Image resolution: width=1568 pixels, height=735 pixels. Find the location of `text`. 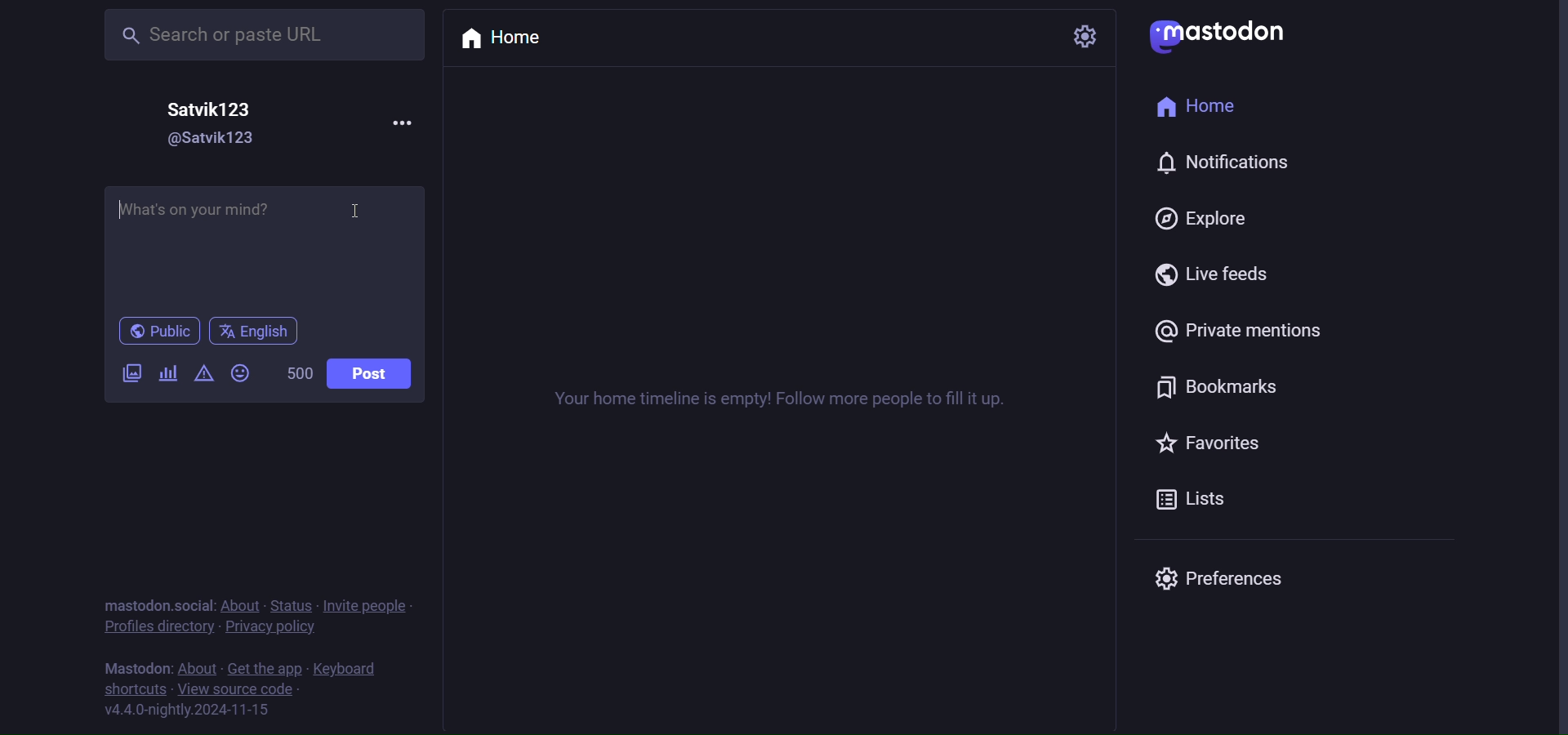

text is located at coordinates (158, 605).